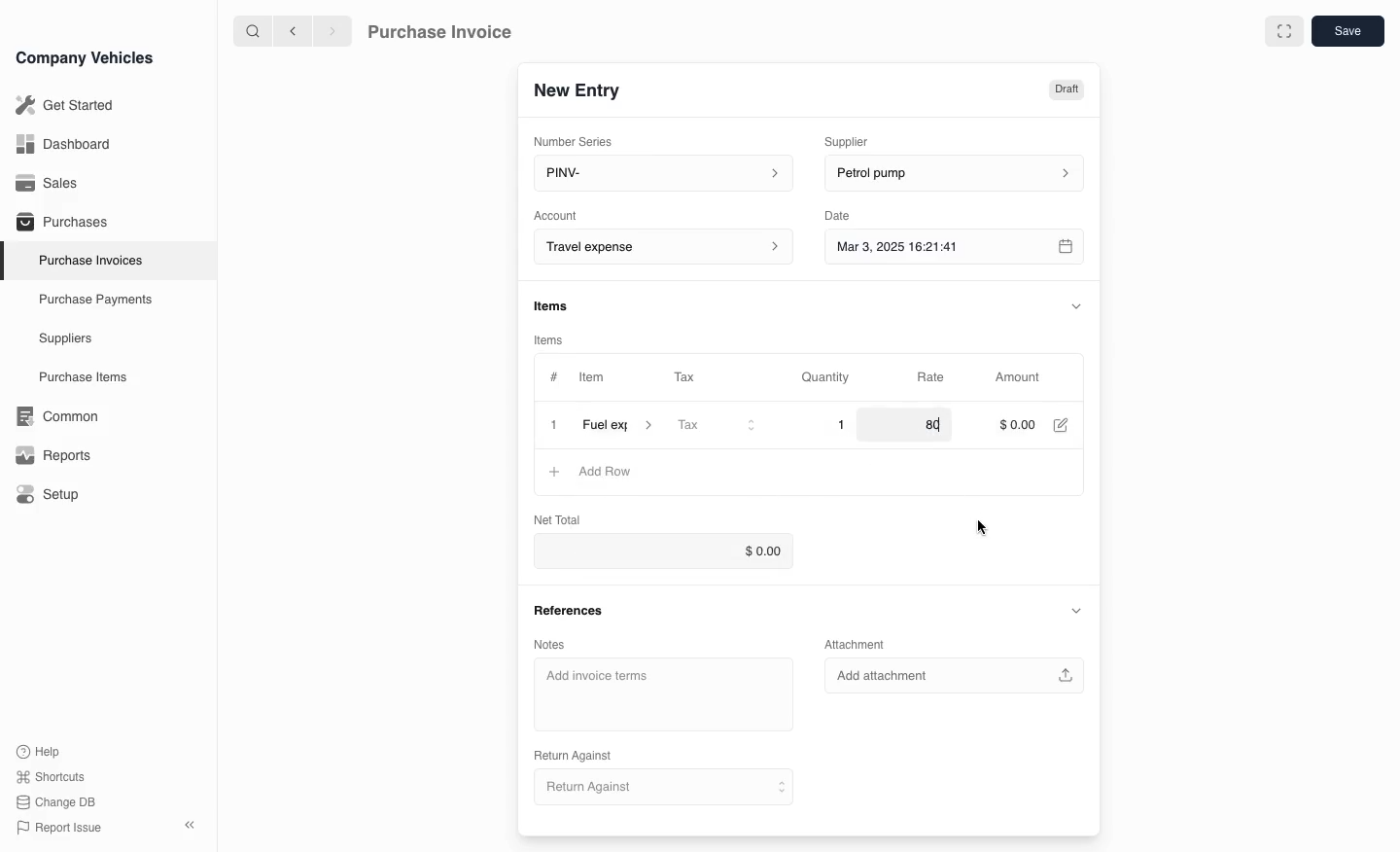  I want to click on $80.00, so click(925, 425).